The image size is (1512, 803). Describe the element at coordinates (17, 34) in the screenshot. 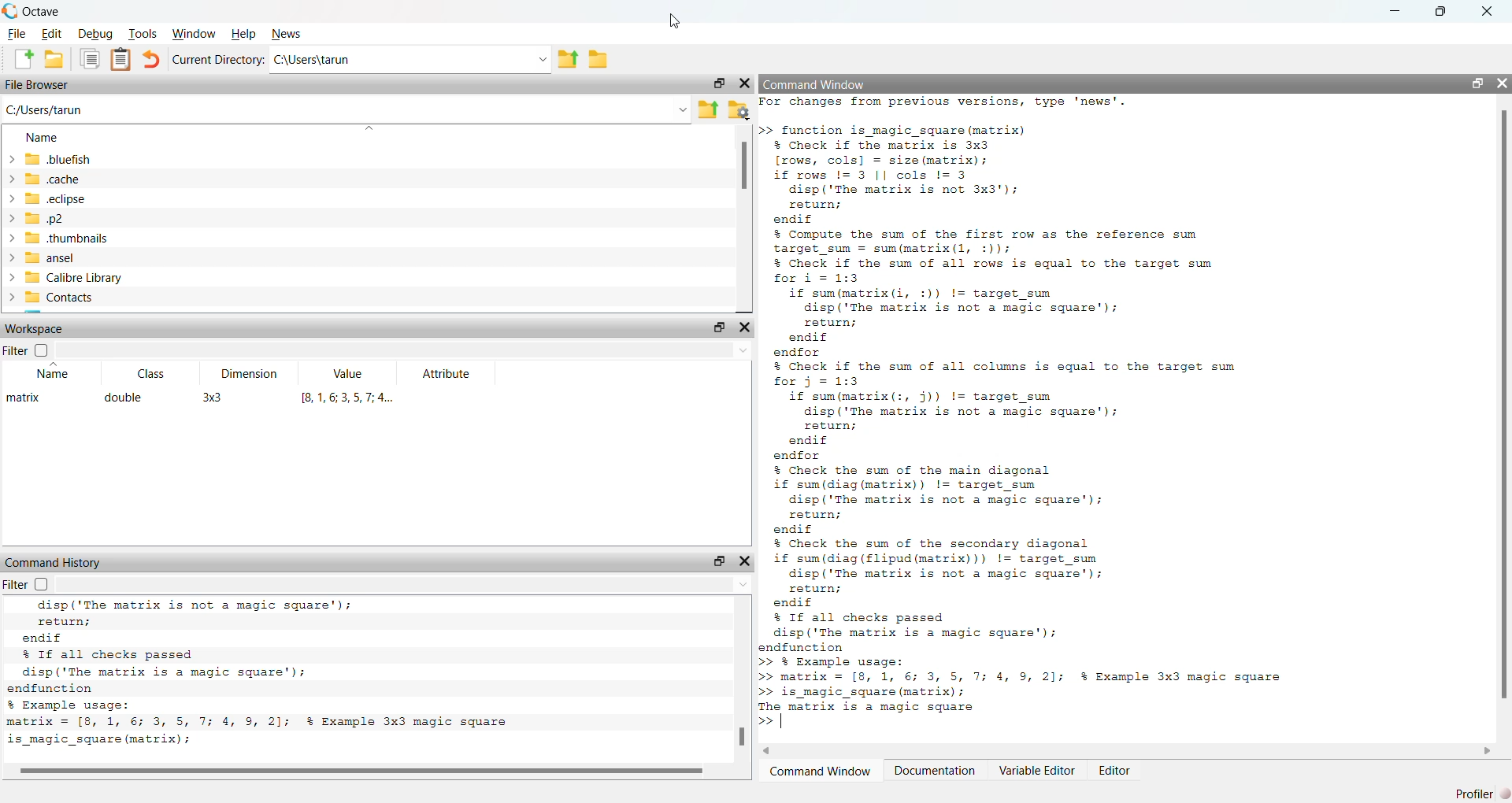

I see `File` at that location.